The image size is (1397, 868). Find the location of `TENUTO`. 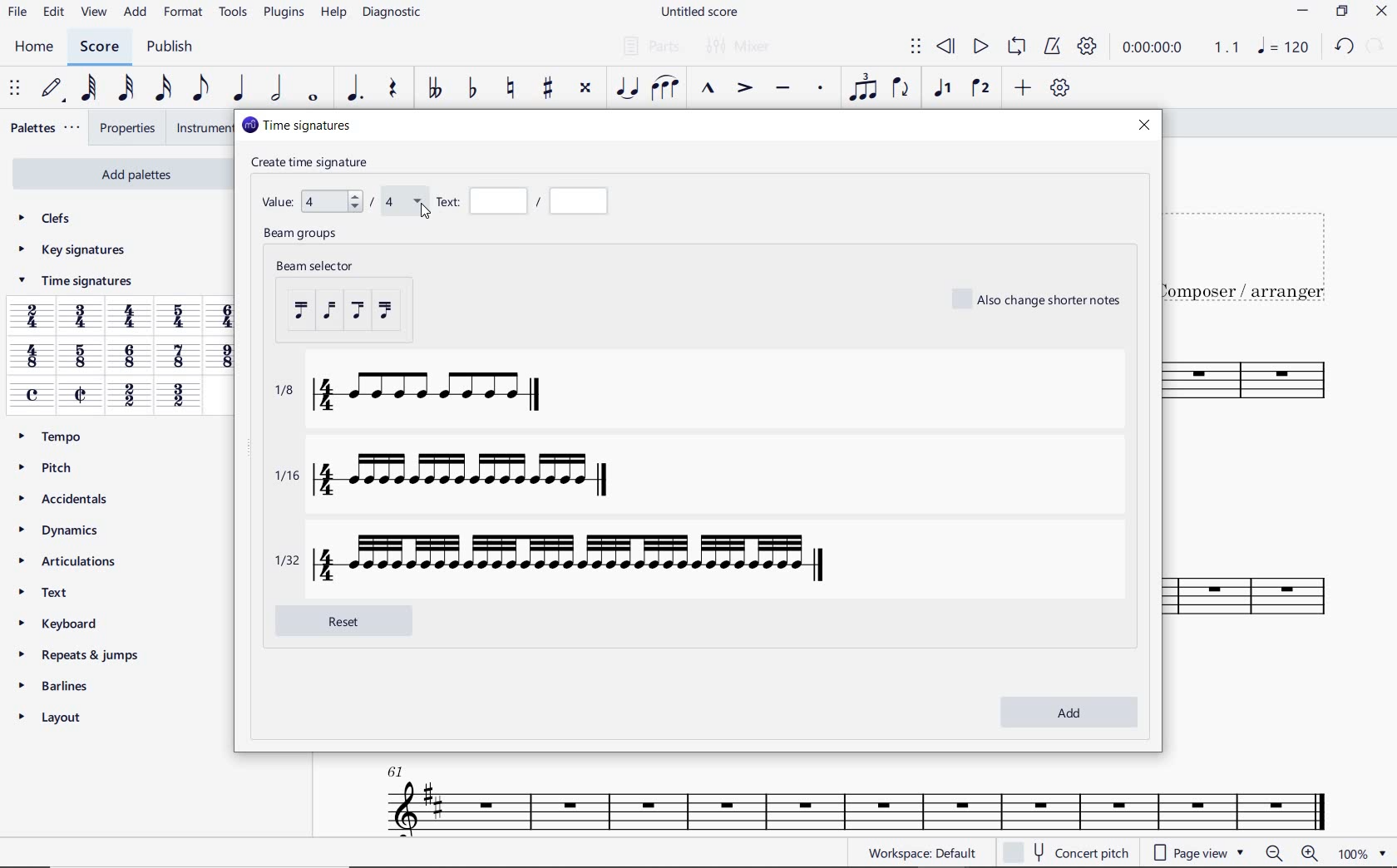

TENUTO is located at coordinates (782, 89).